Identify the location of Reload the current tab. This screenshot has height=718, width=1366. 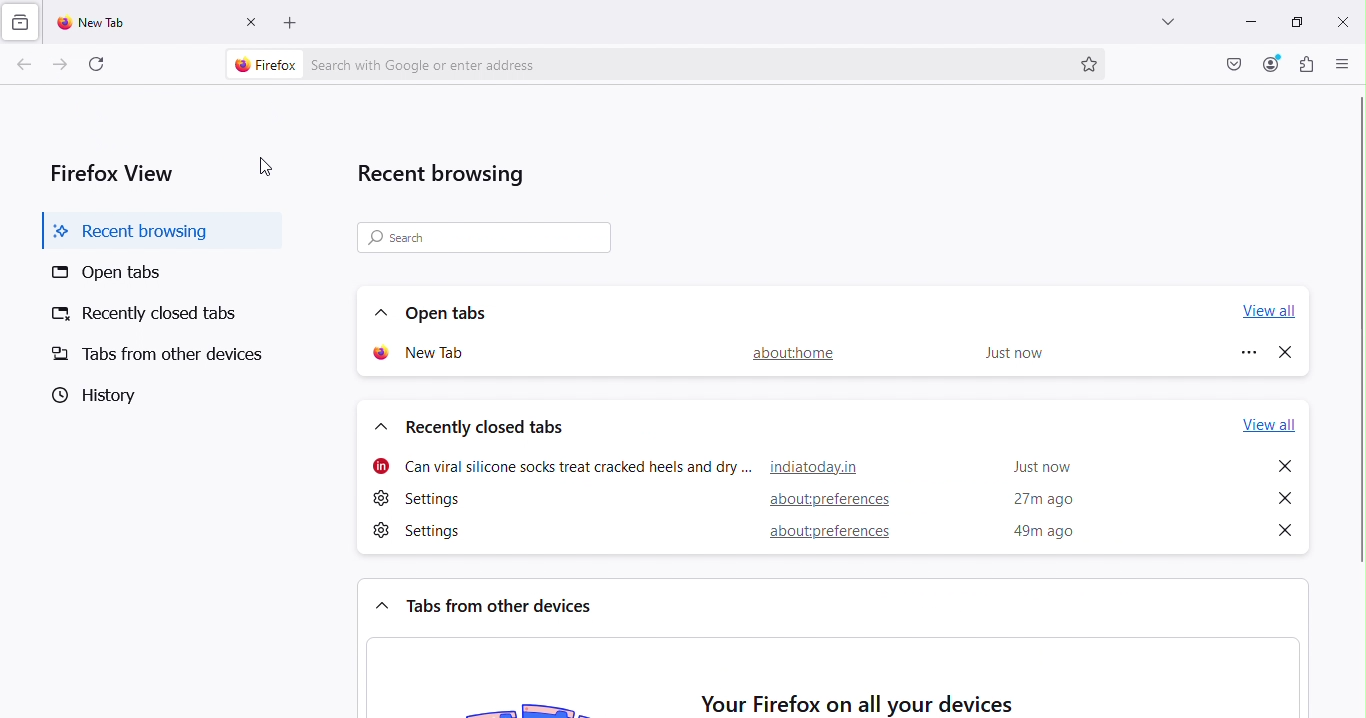
(101, 64).